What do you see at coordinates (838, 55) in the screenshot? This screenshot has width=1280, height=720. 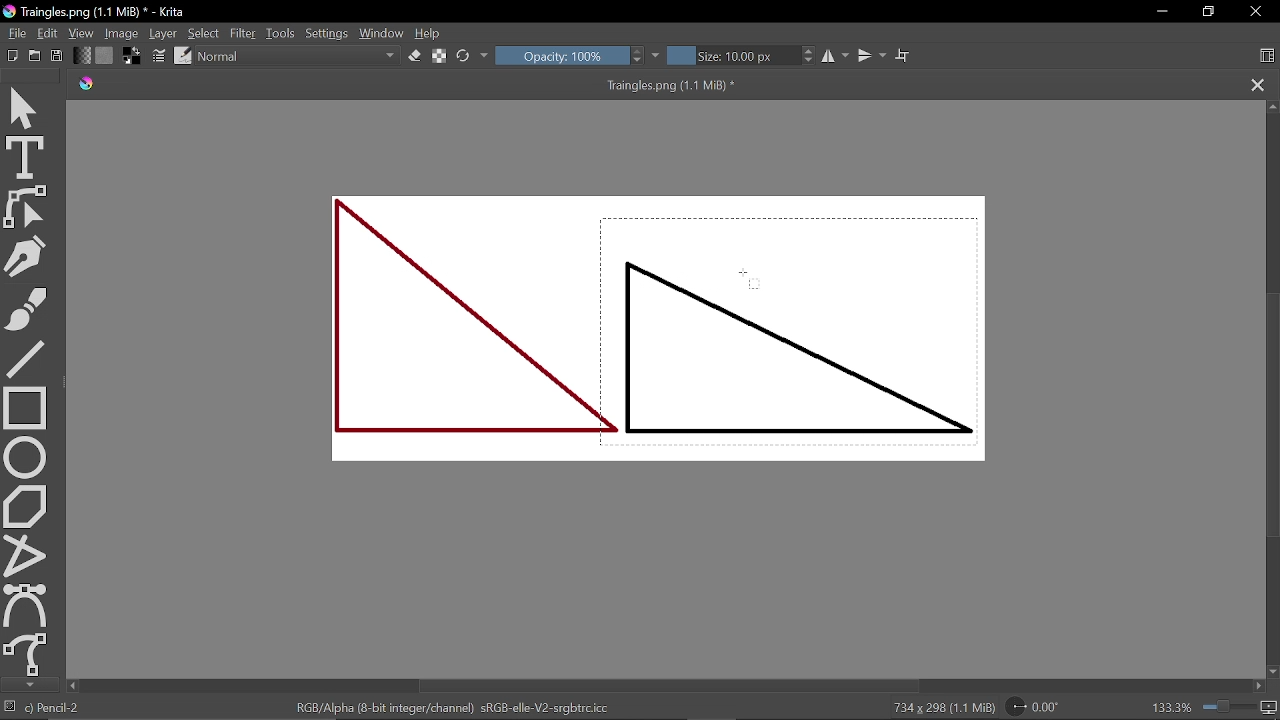 I see `Horizontal mirror tool` at bounding box center [838, 55].